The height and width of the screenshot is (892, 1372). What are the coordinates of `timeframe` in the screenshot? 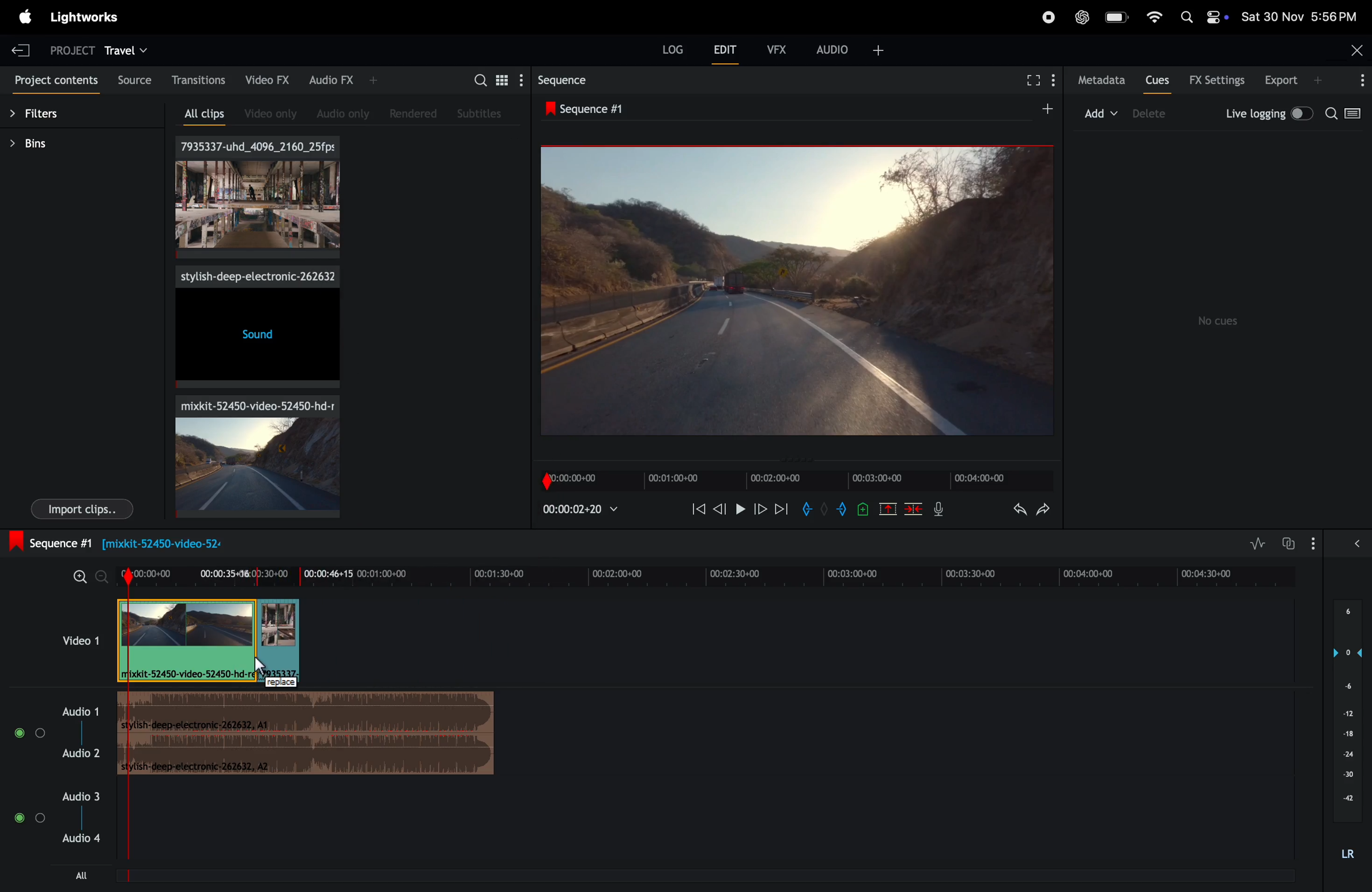 It's located at (789, 476).